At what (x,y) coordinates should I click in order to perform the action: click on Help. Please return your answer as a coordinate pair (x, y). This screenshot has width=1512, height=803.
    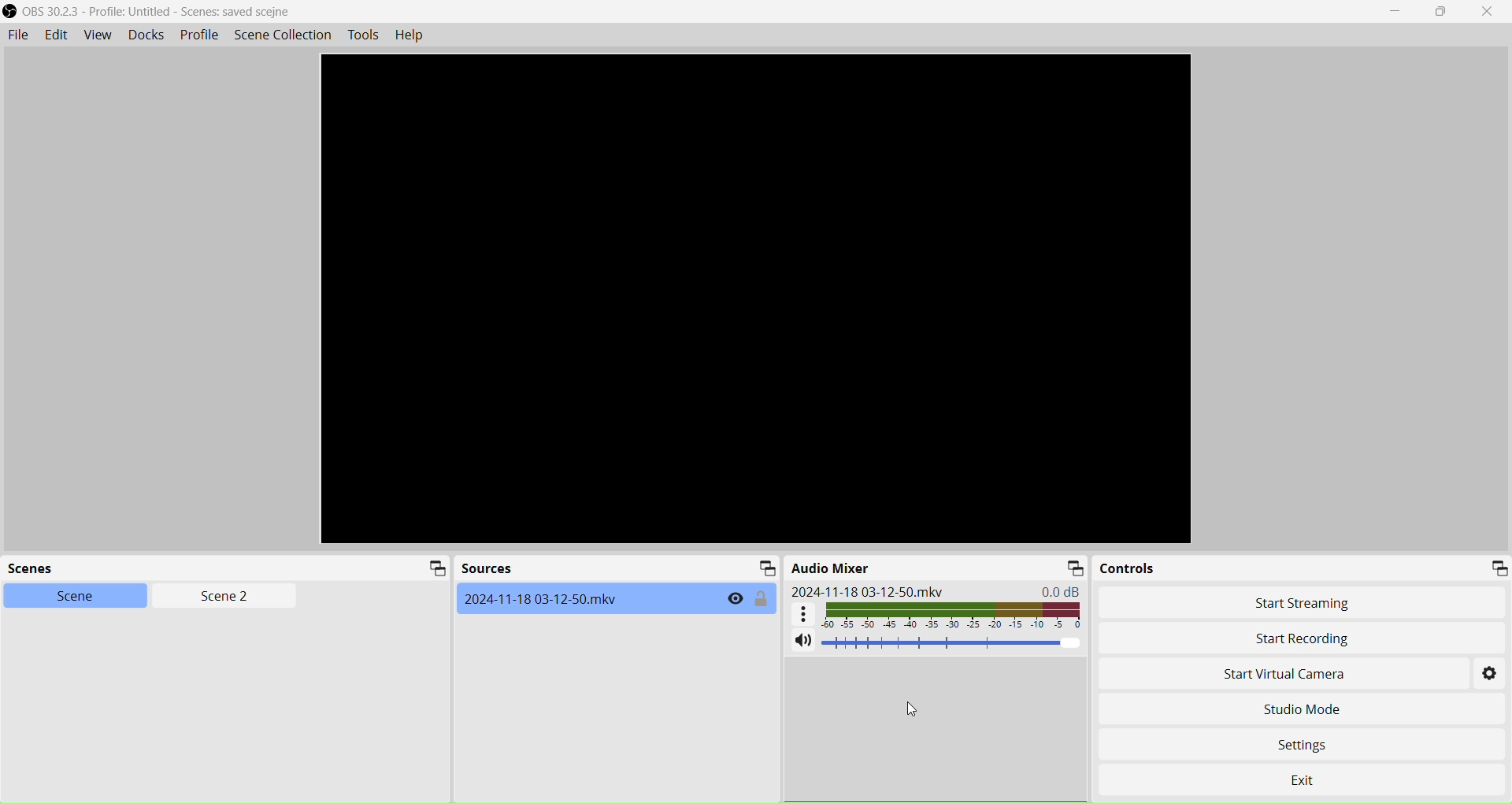
    Looking at the image, I should click on (414, 36).